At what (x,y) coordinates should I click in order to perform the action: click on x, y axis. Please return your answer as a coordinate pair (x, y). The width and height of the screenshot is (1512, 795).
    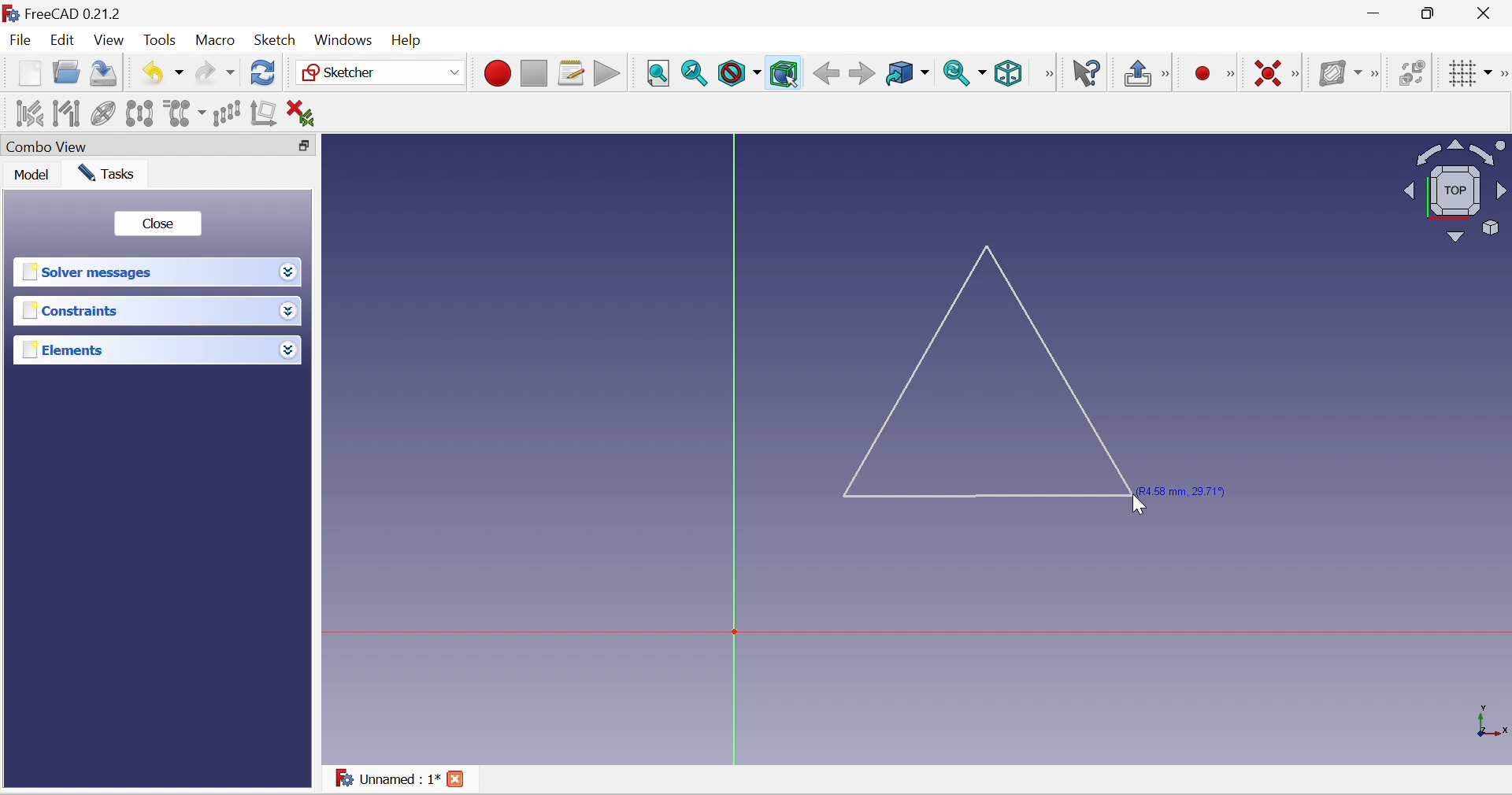
    Looking at the image, I should click on (1488, 720).